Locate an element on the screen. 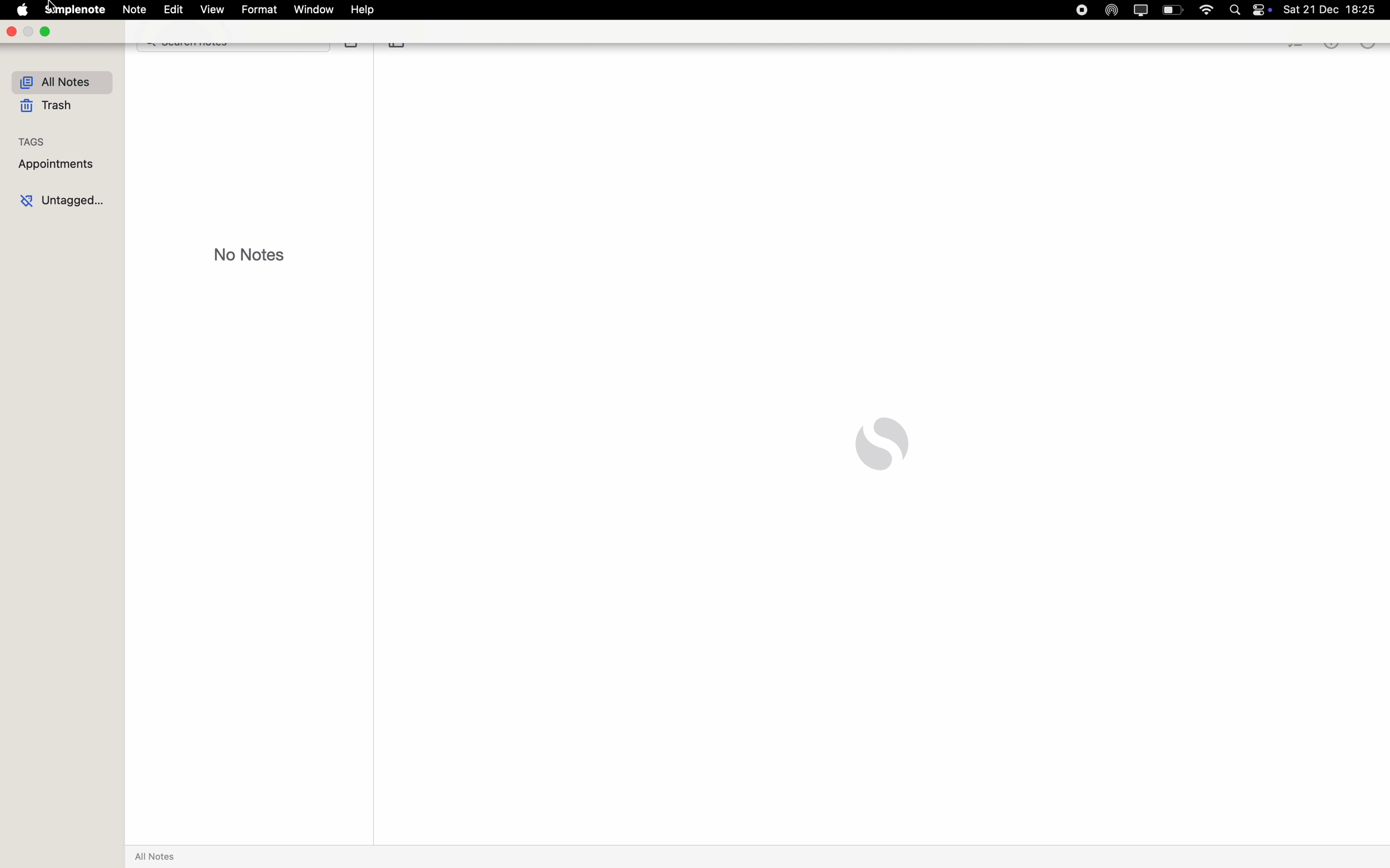  edit is located at coordinates (172, 9).